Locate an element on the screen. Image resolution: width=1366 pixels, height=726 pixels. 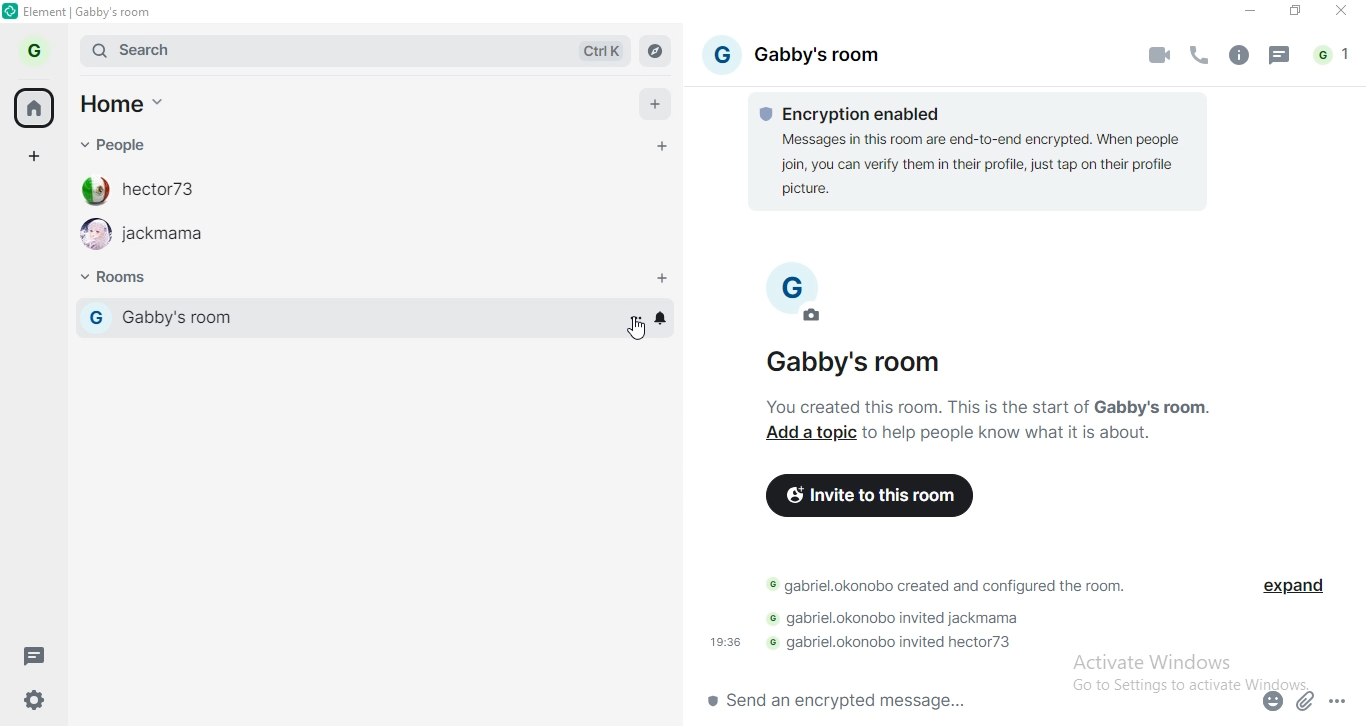
attachment is located at coordinates (1304, 700).